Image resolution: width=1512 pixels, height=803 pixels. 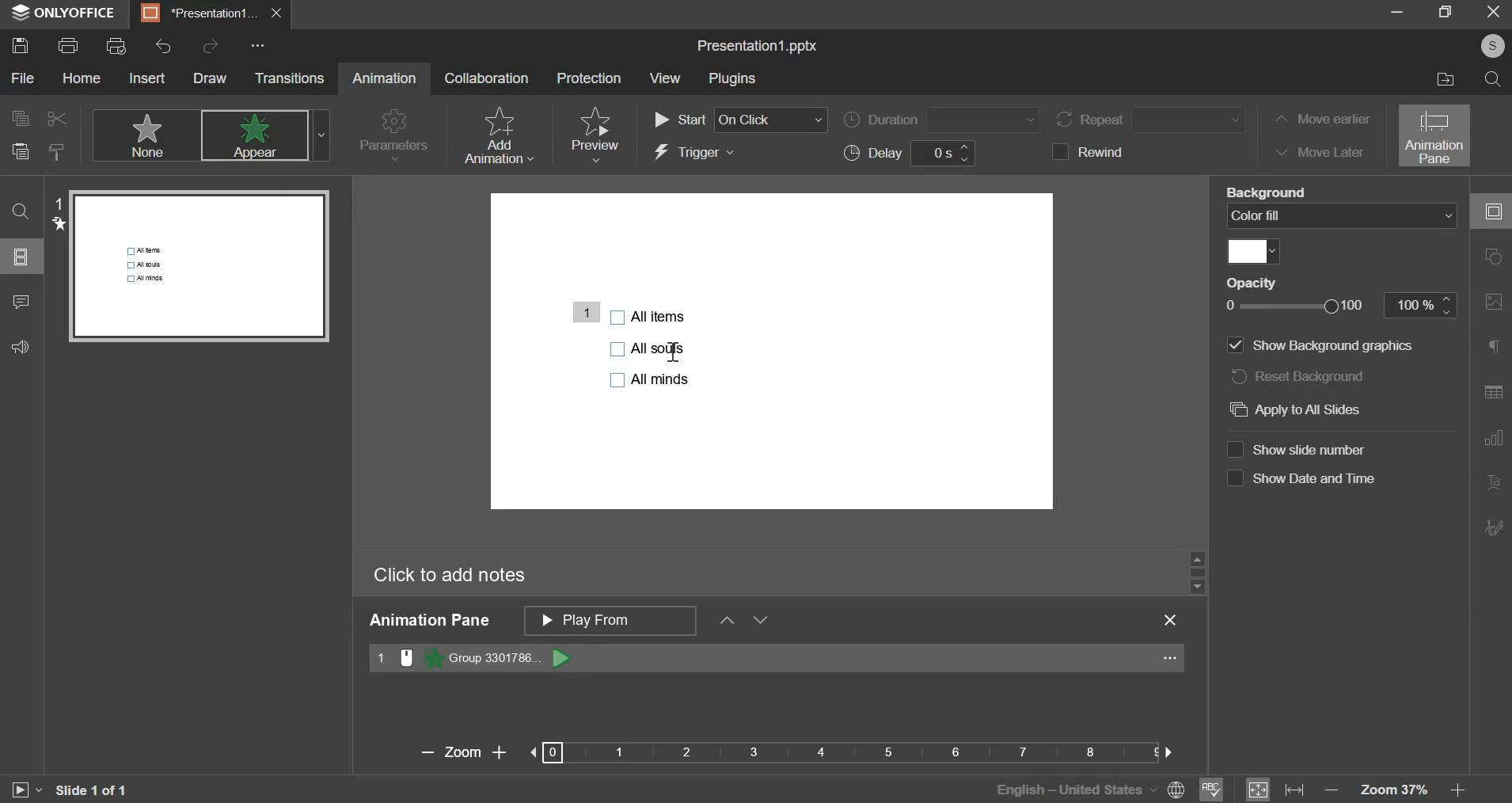 What do you see at coordinates (673, 352) in the screenshot?
I see `Cursor` at bounding box center [673, 352].